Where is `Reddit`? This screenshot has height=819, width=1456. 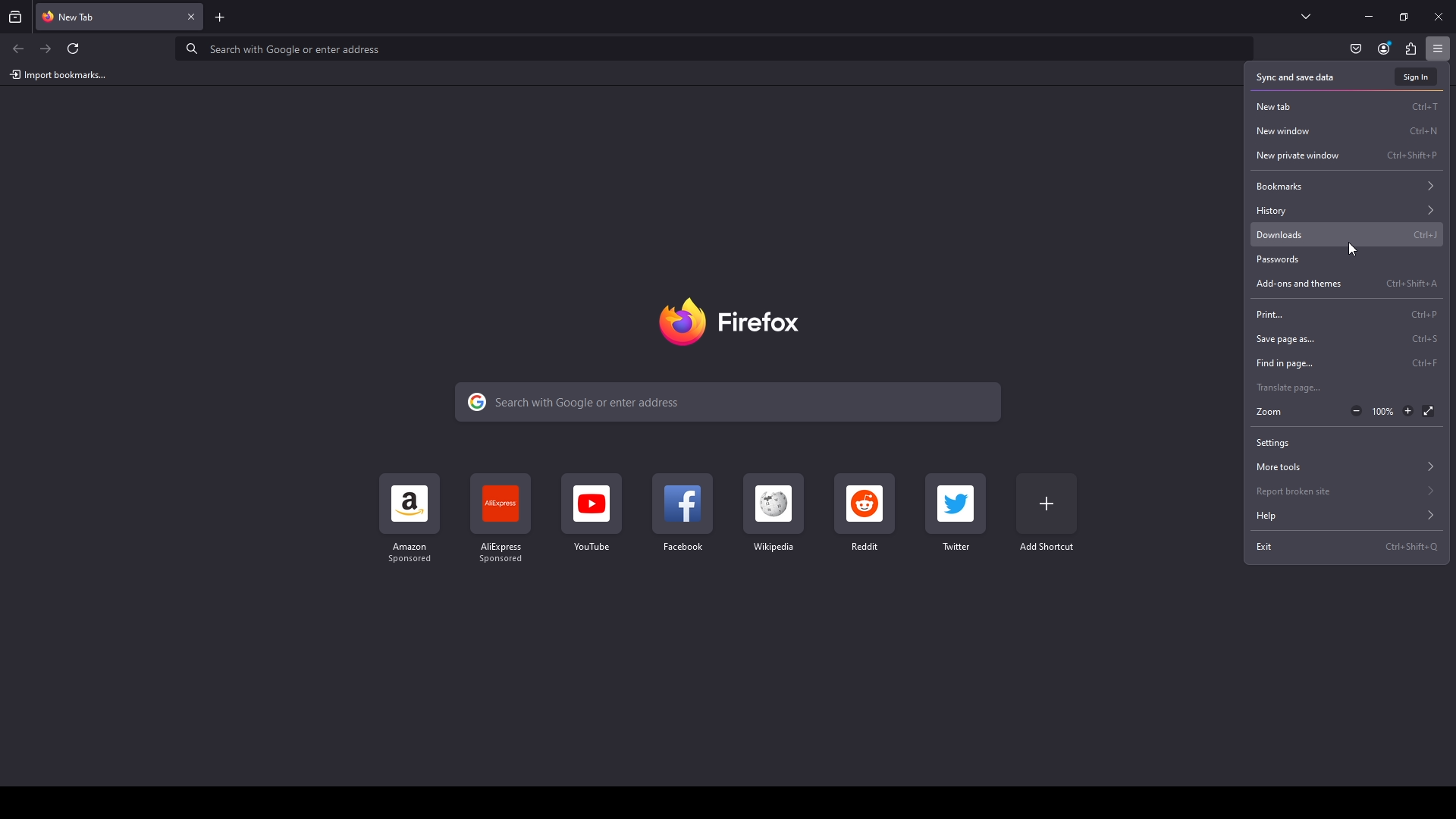
Reddit is located at coordinates (865, 513).